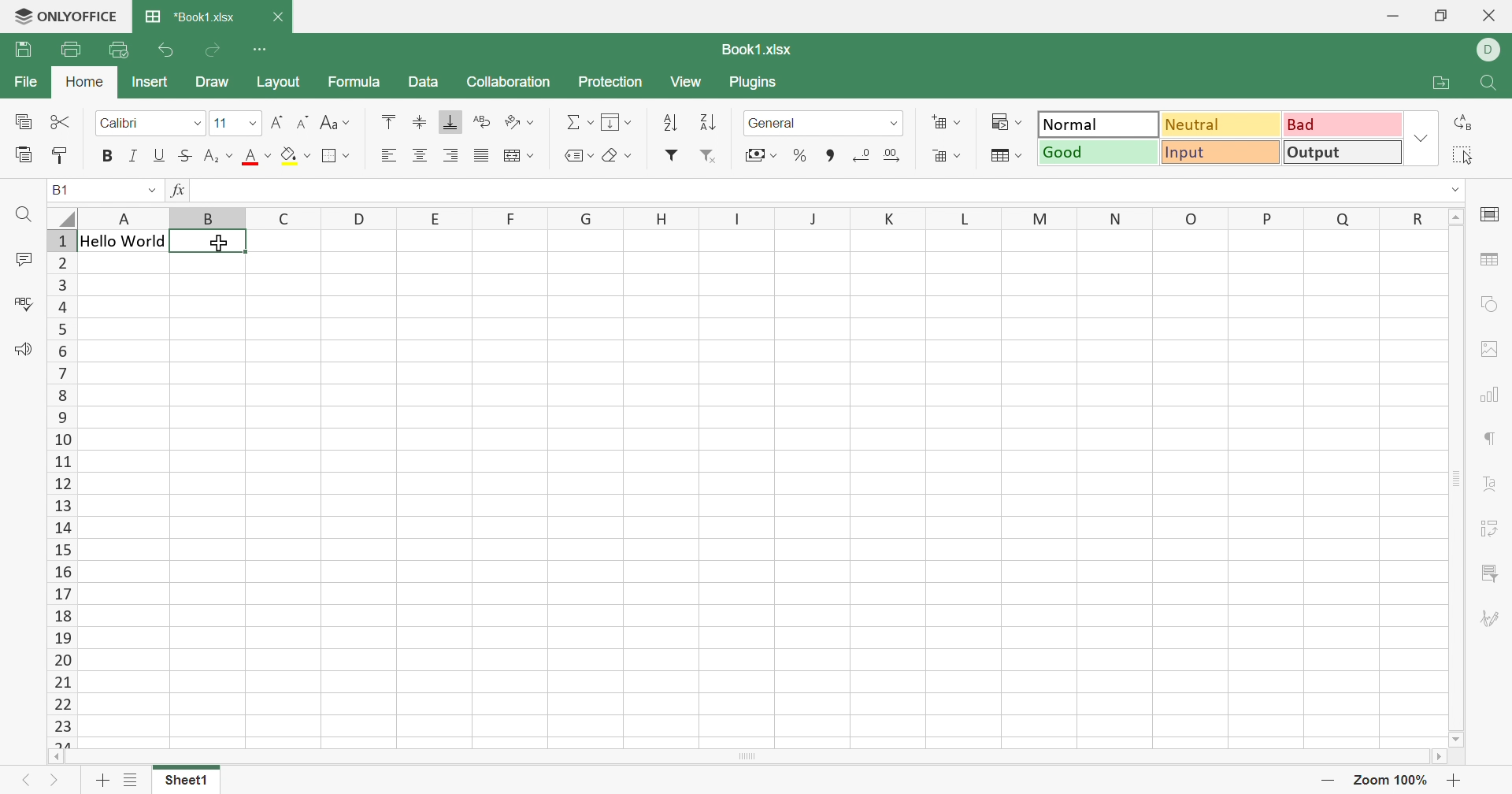  I want to click on Hello world, so click(232, 191).